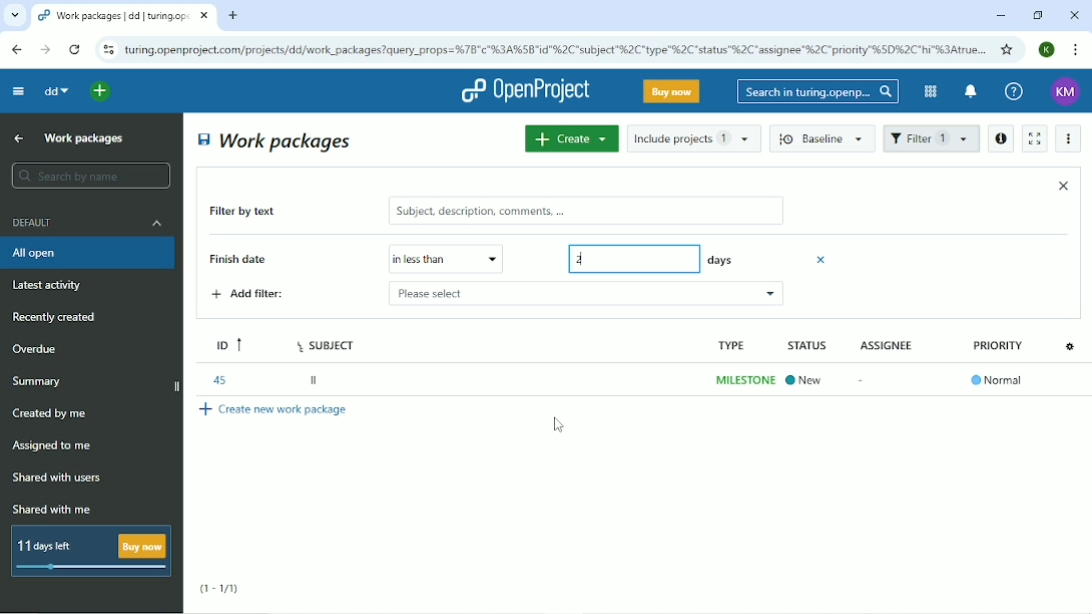 The width and height of the screenshot is (1092, 614). Describe the element at coordinates (85, 137) in the screenshot. I see `Work packages` at that location.